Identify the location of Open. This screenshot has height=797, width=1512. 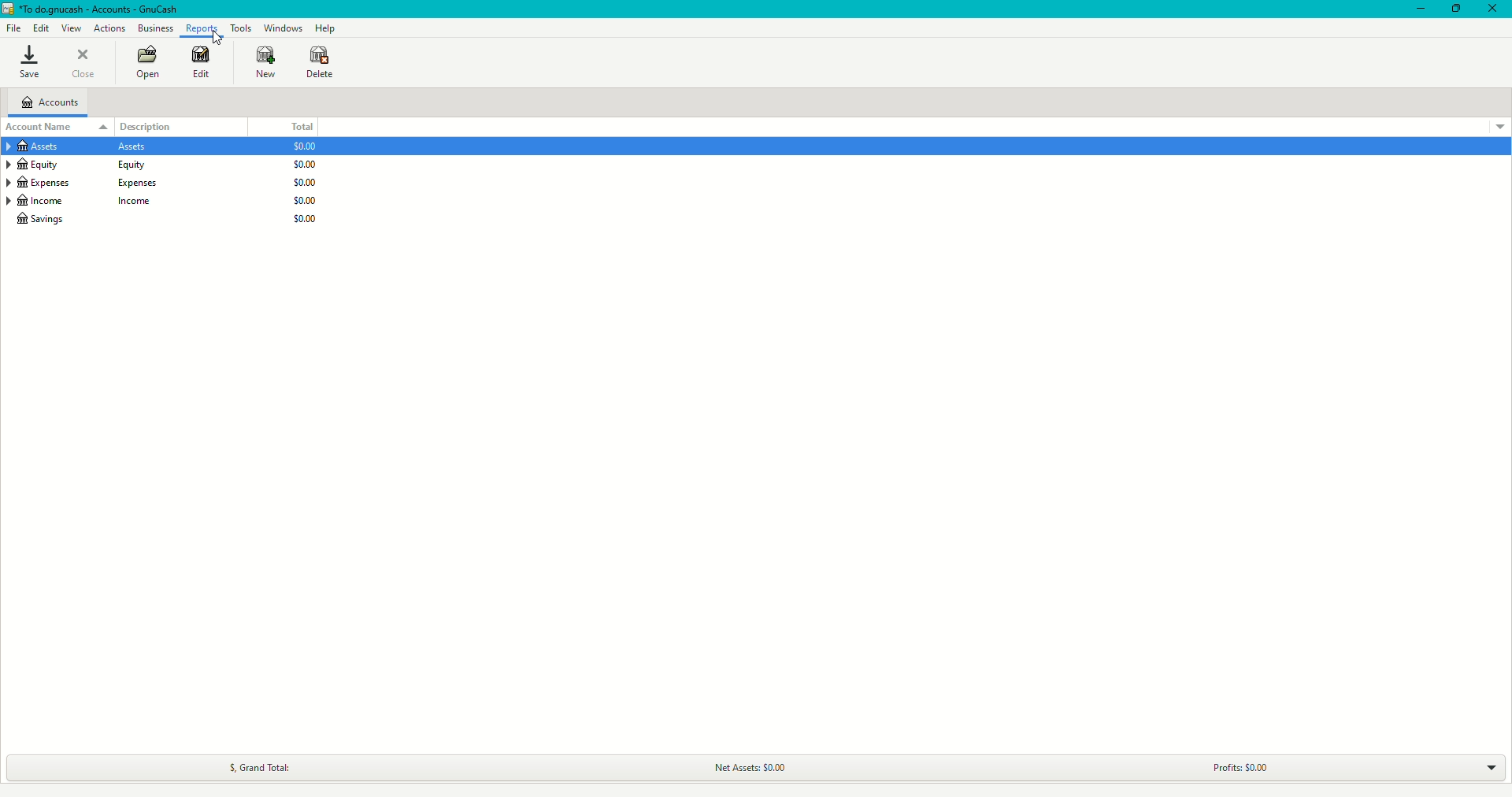
(146, 63).